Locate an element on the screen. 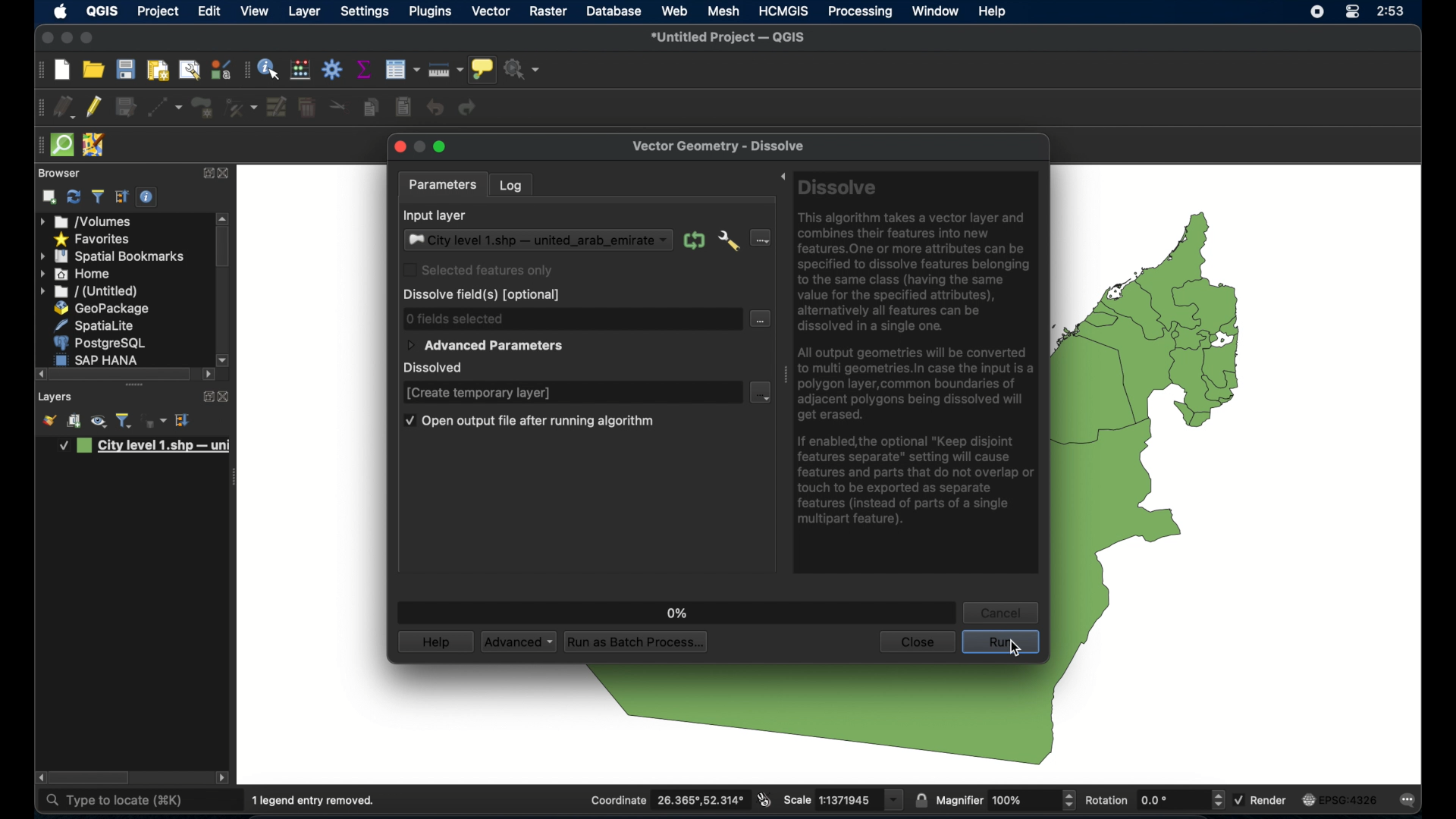 Image resolution: width=1456 pixels, height=819 pixels. control center is located at coordinates (1351, 12).